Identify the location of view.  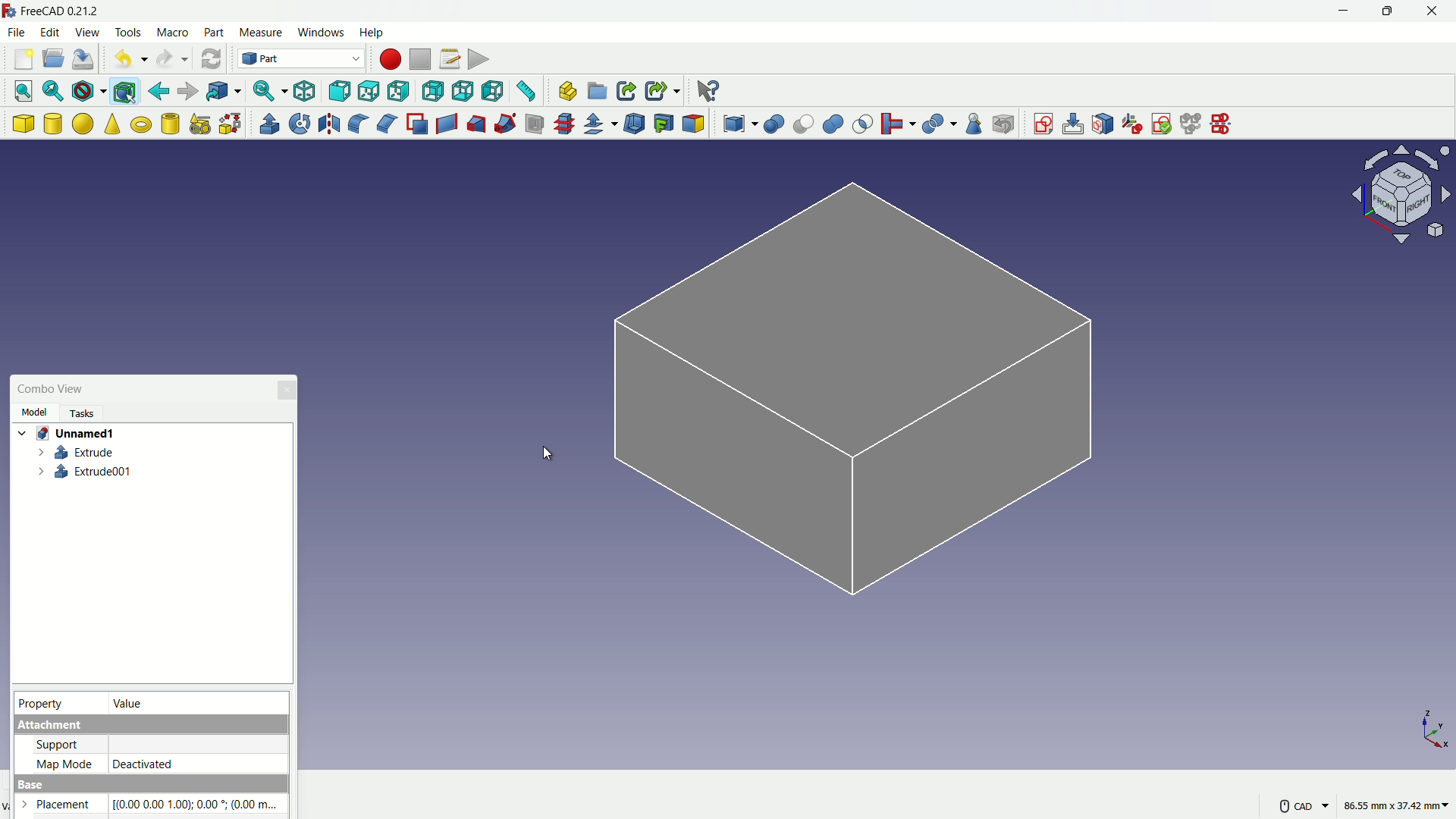
(86, 30).